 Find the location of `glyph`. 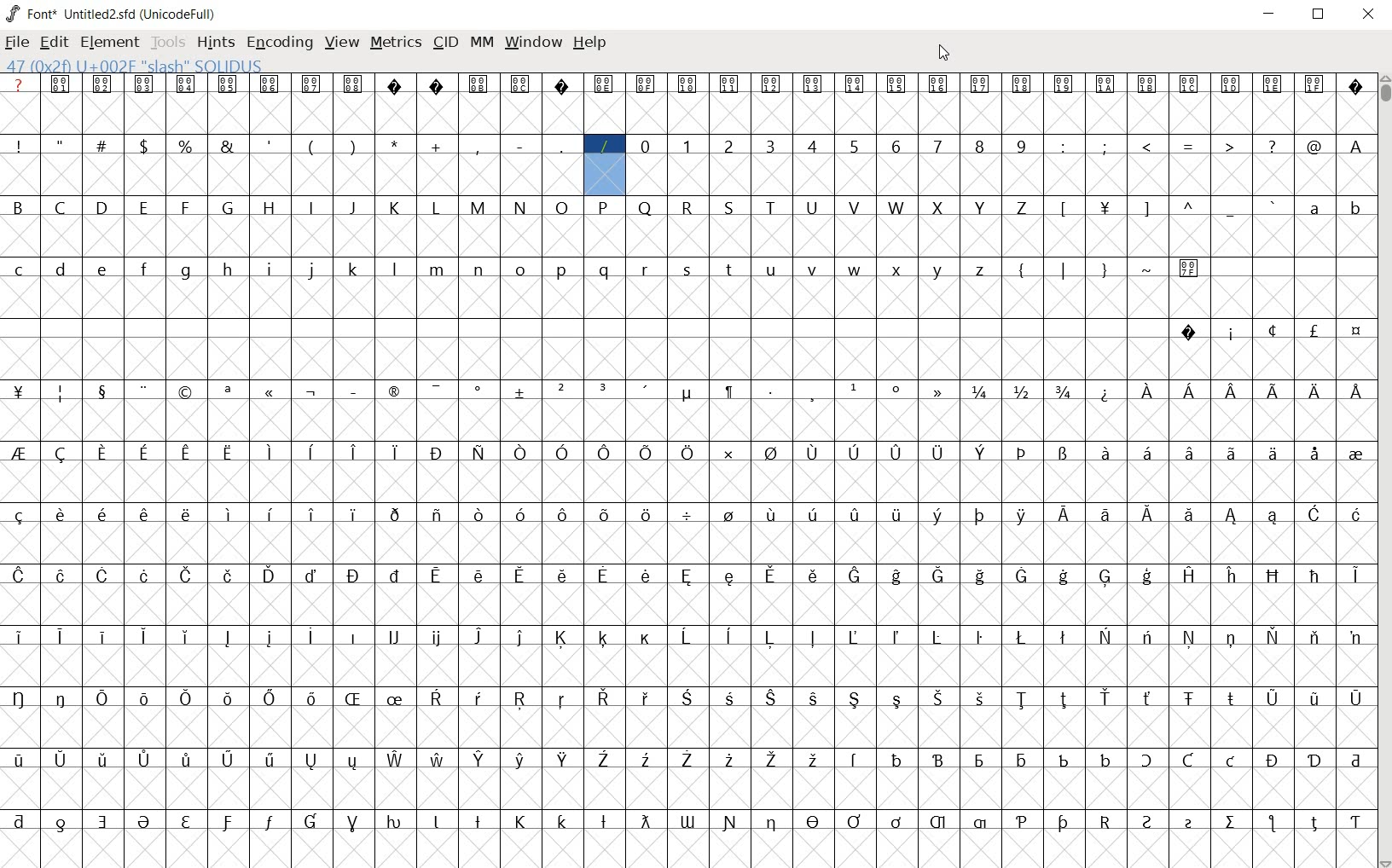

glyph is located at coordinates (562, 208).